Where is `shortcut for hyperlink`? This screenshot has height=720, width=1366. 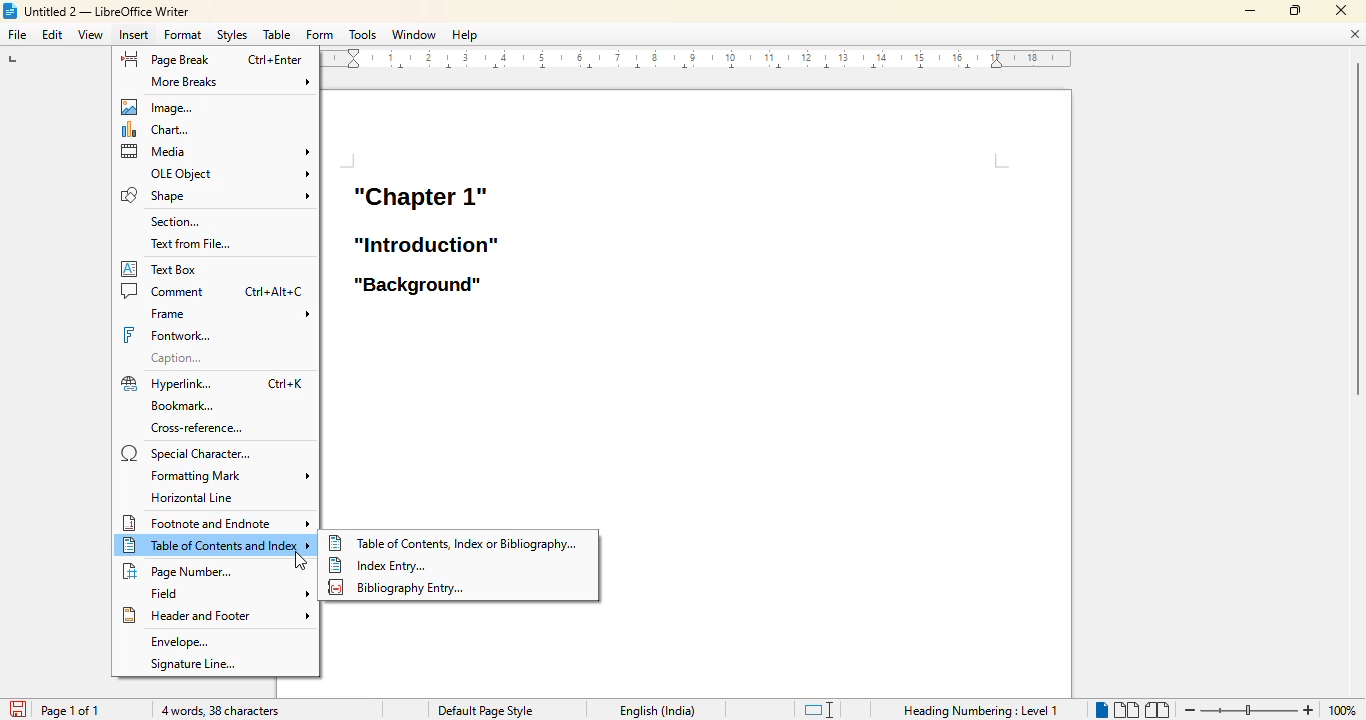 shortcut for hyperlink is located at coordinates (285, 384).